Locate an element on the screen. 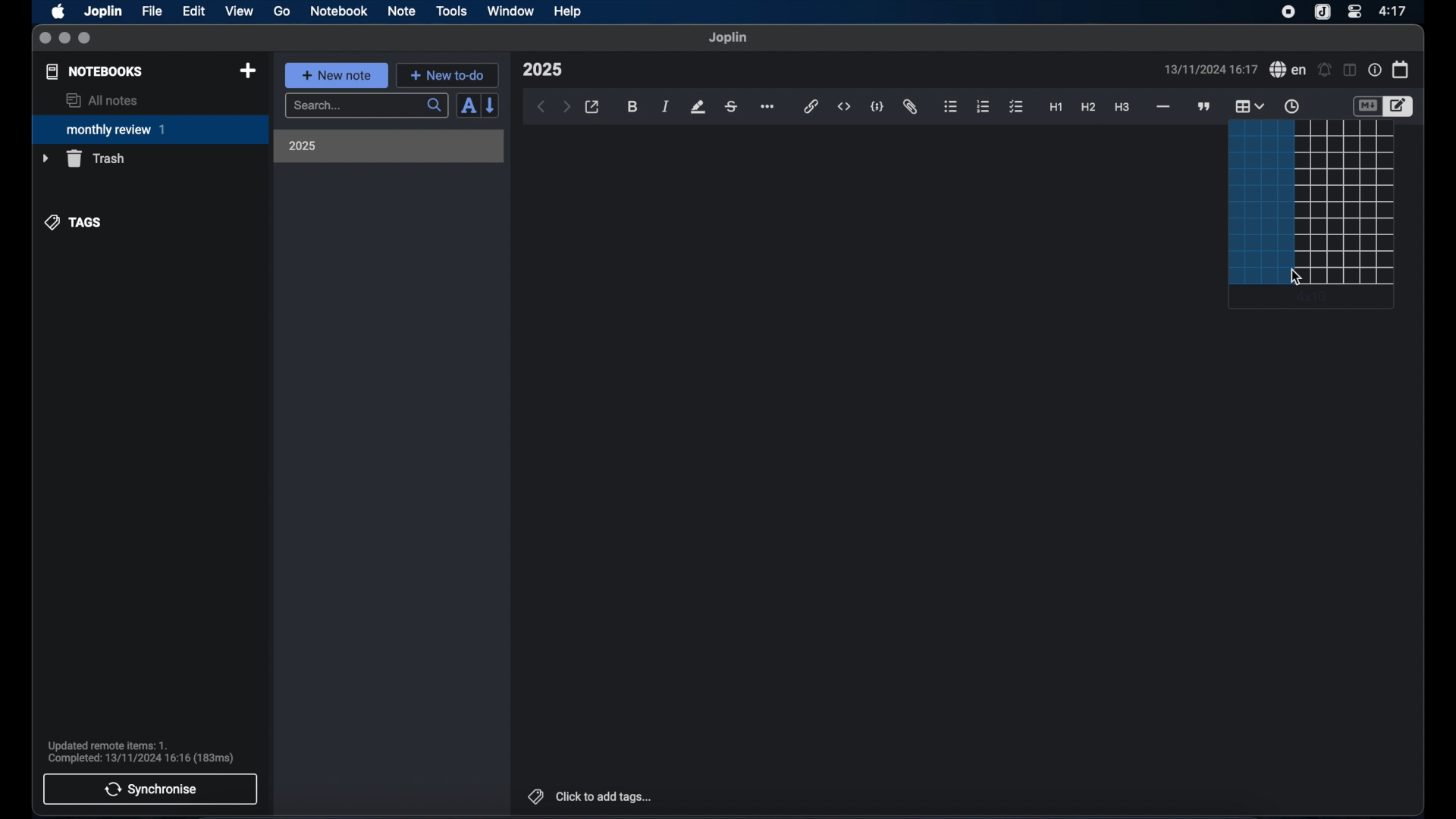  spel check is located at coordinates (1288, 70).